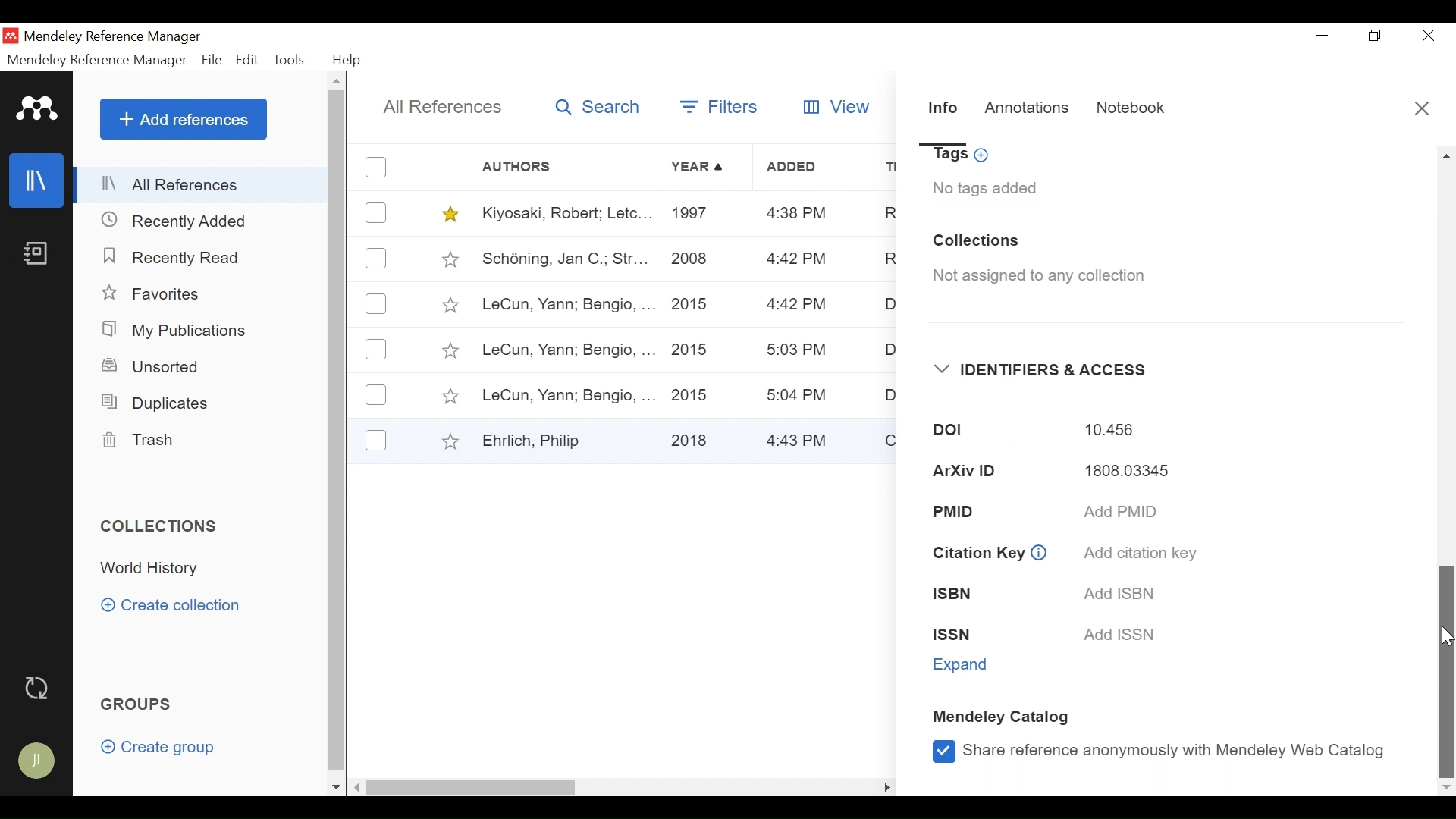 The image size is (1456, 819). I want to click on (un)select favorite, so click(447, 214).